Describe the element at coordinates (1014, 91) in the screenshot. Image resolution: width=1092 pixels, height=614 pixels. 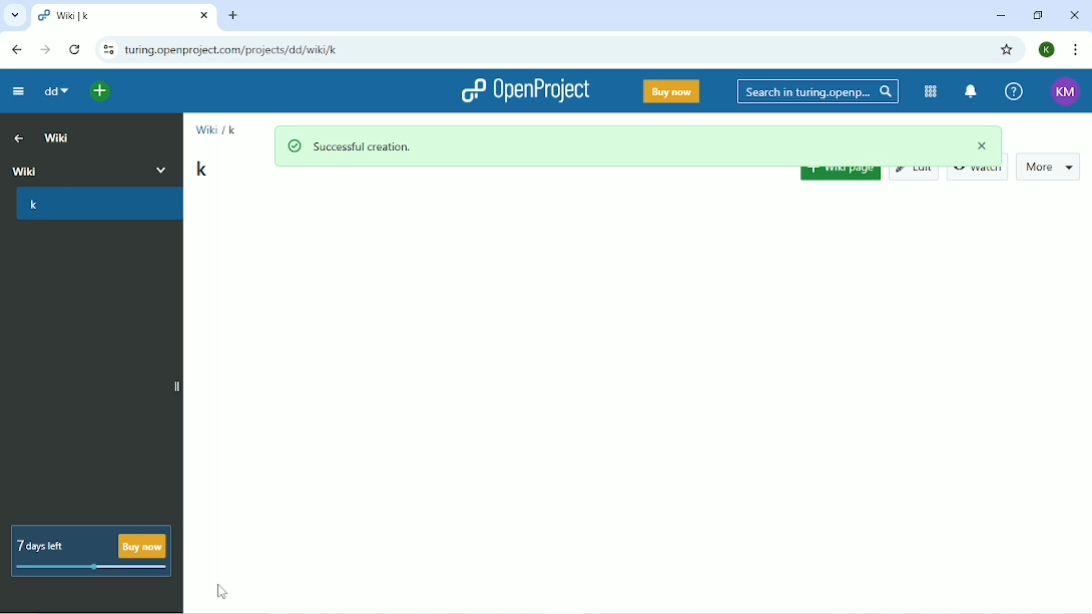
I see `Help` at that location.